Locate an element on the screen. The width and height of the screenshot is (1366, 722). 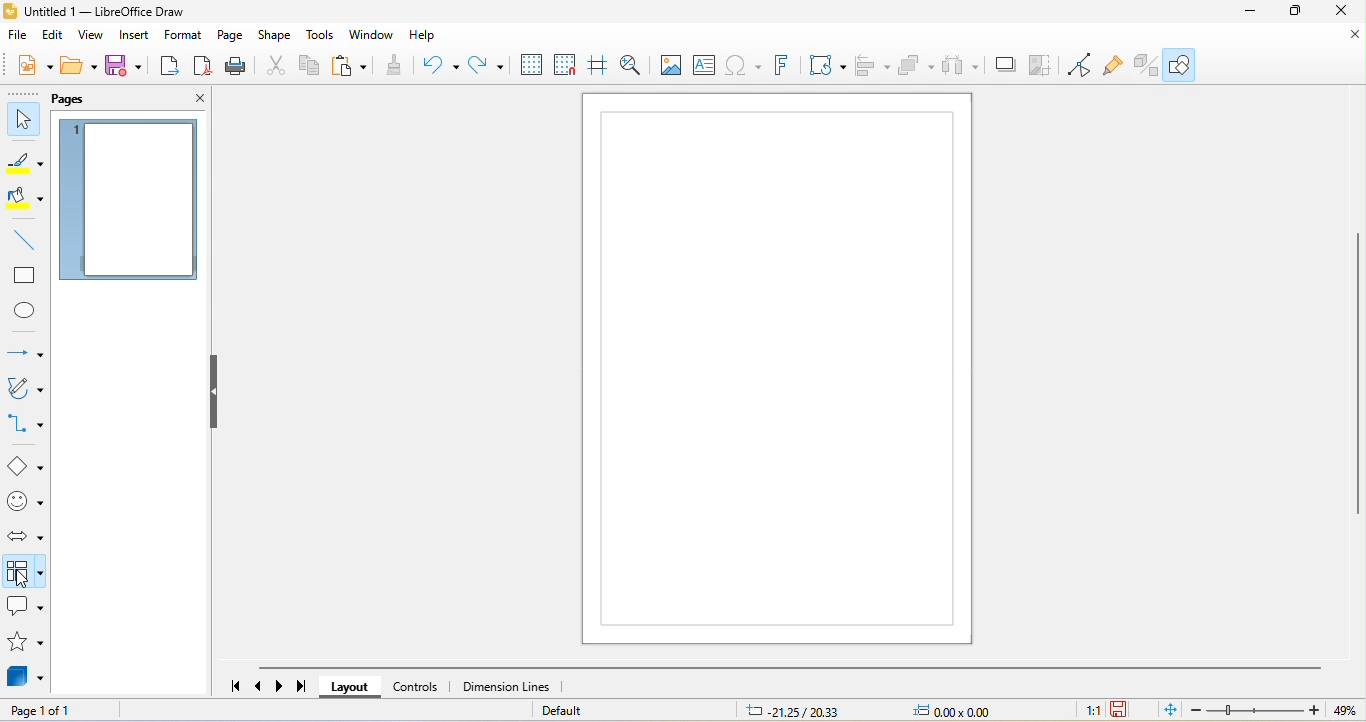
export directly as pdf is located at coordinates (203, 67).